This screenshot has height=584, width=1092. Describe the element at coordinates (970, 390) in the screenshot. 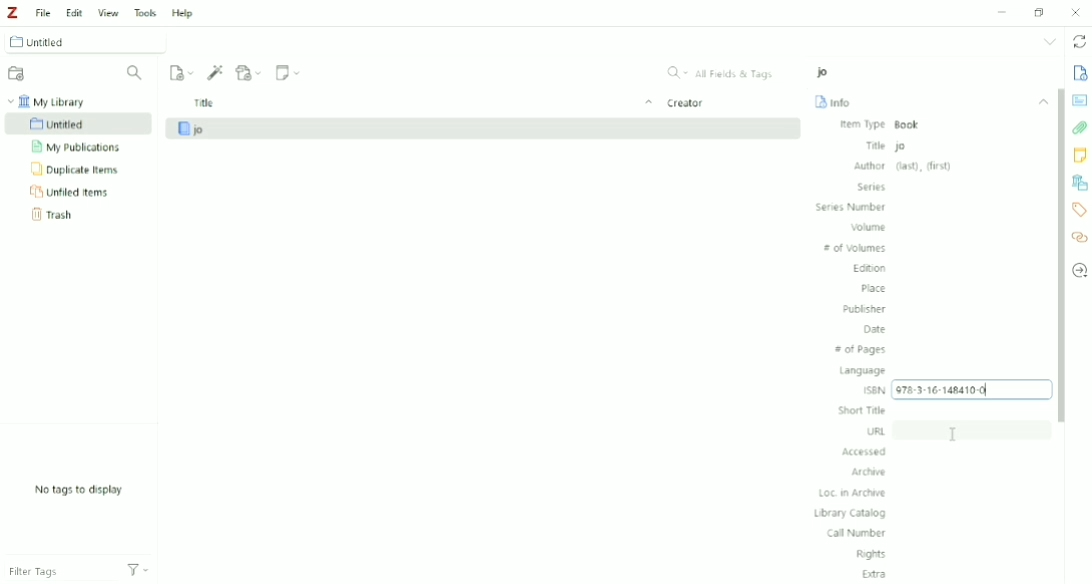

I see `978-3-16-148410-0` at that location.